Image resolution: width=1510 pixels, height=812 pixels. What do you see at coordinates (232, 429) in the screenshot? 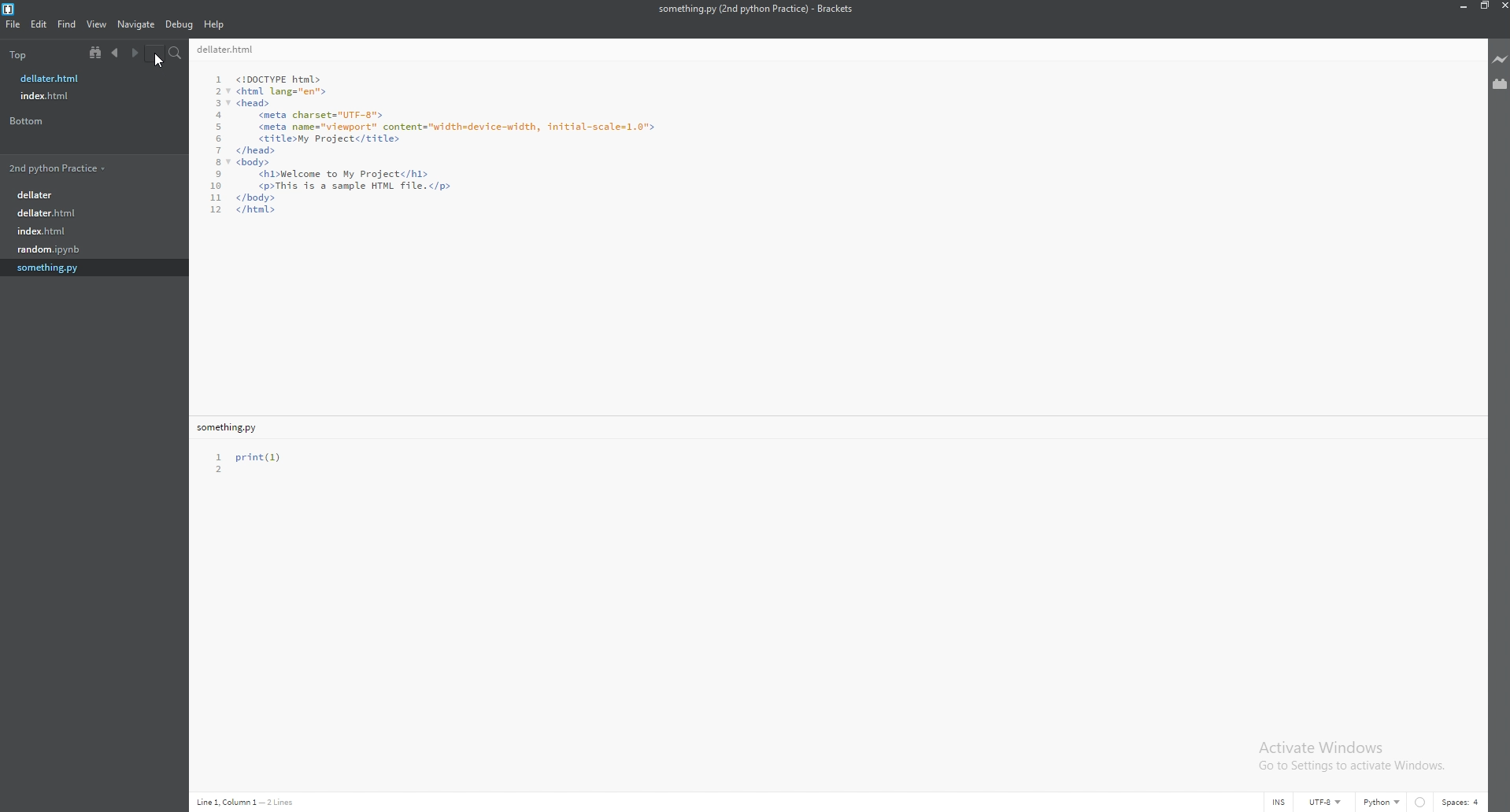
I see `file name` at bounding box center [232, 429].